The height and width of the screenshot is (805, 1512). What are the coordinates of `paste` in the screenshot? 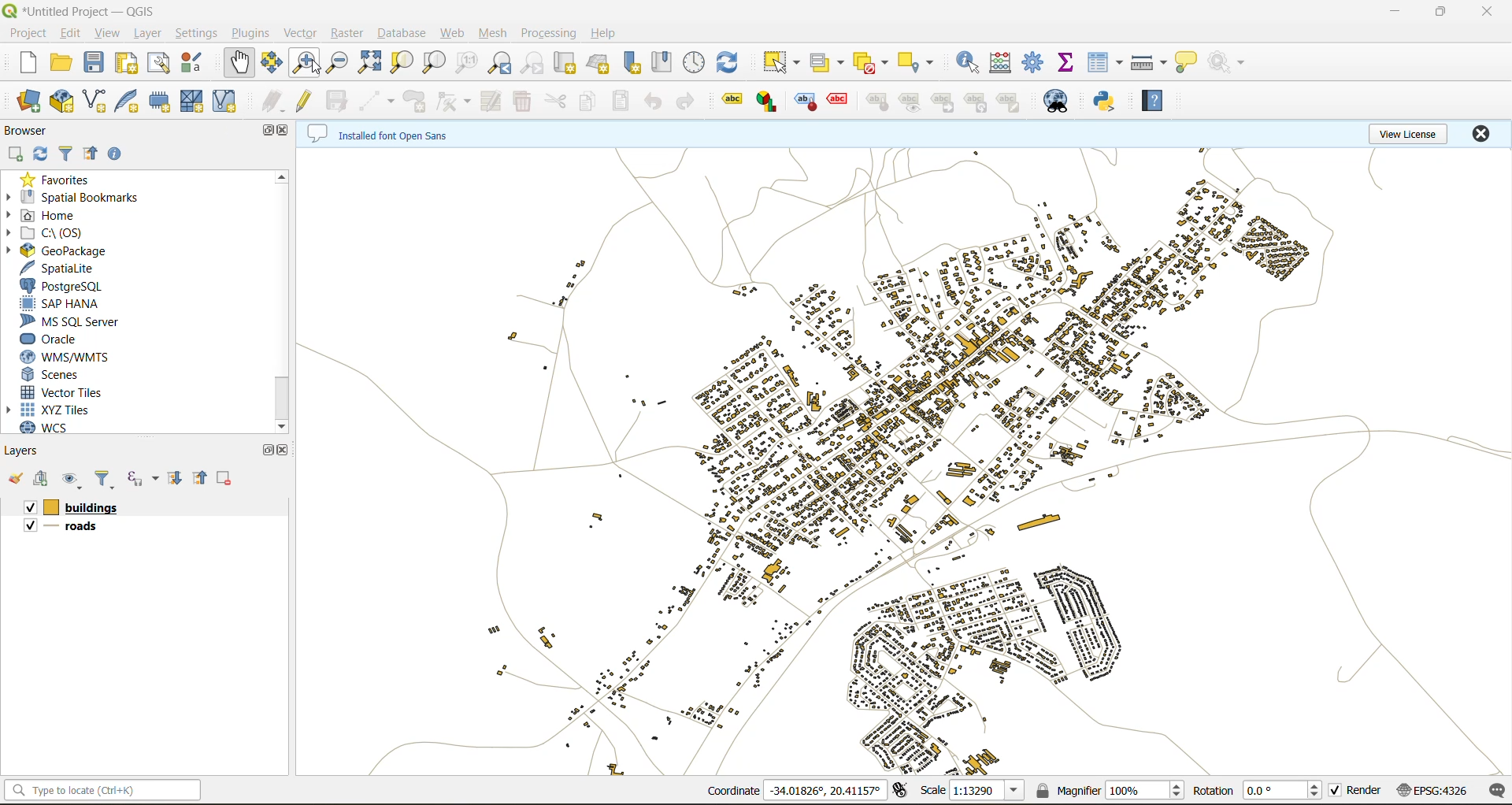 It's located at (622, 102).